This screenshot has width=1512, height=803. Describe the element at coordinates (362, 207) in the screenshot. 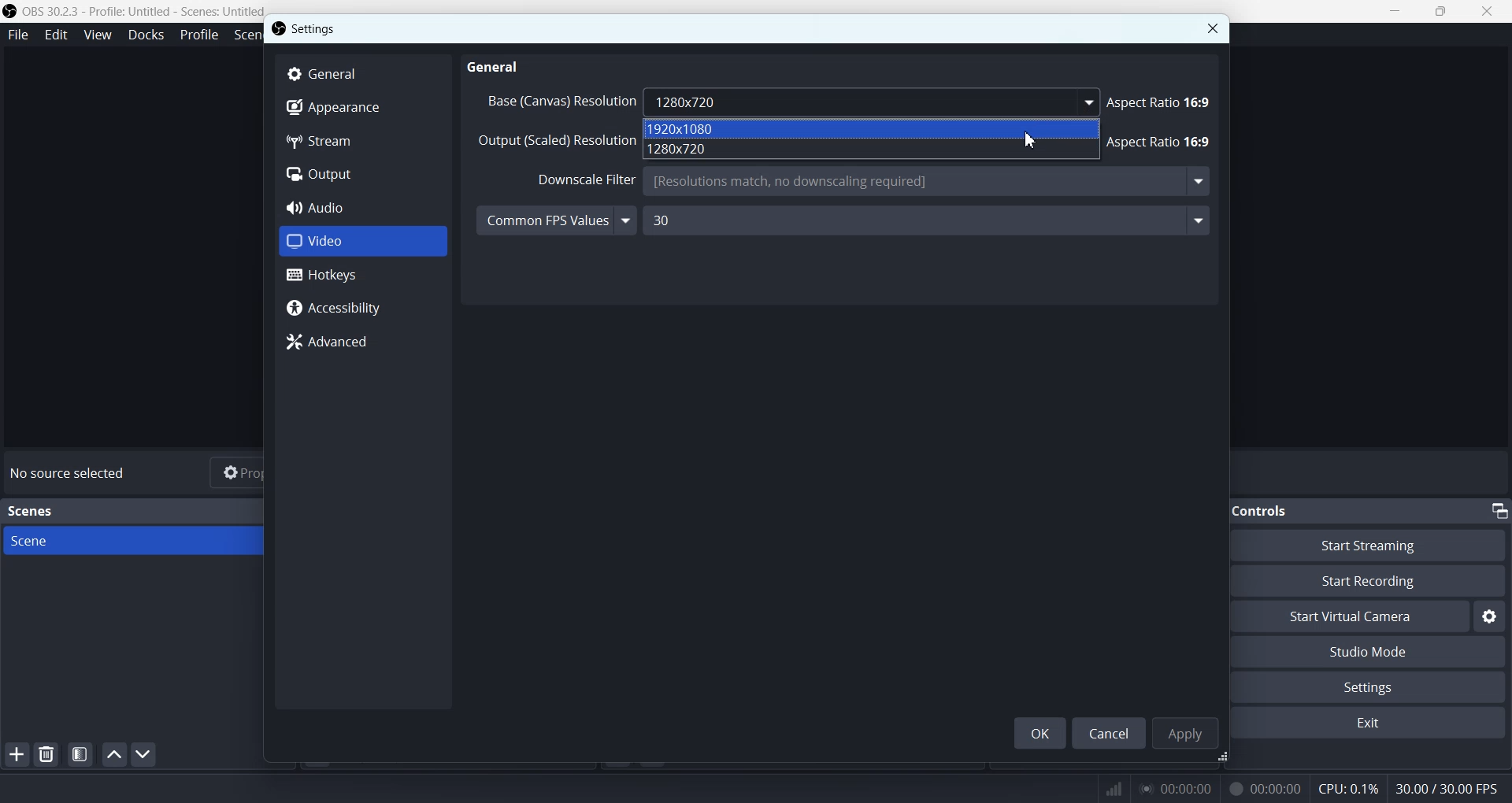

I see `Audio` at that location.